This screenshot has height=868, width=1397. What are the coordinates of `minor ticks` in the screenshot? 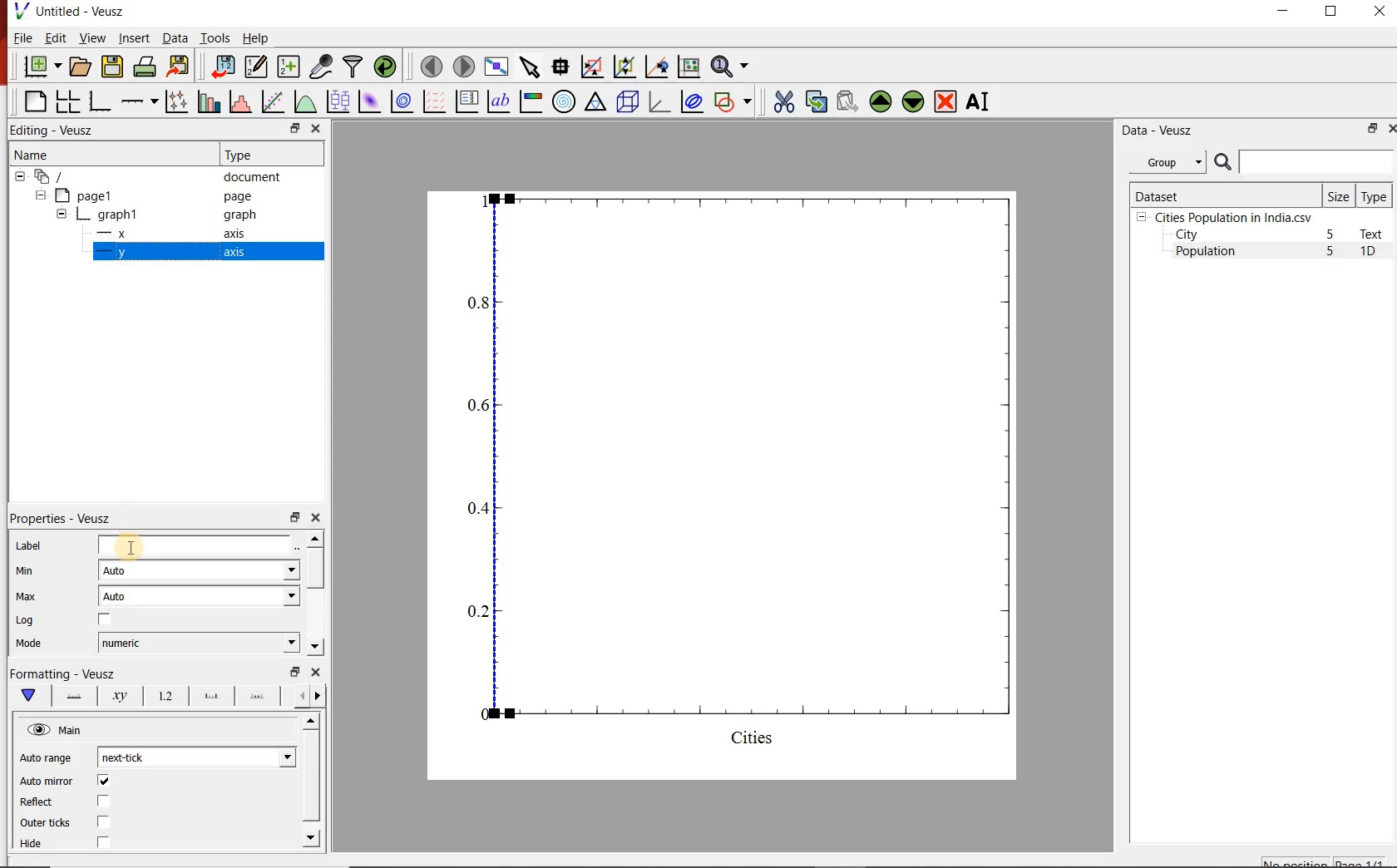 It's located at (258, 697).